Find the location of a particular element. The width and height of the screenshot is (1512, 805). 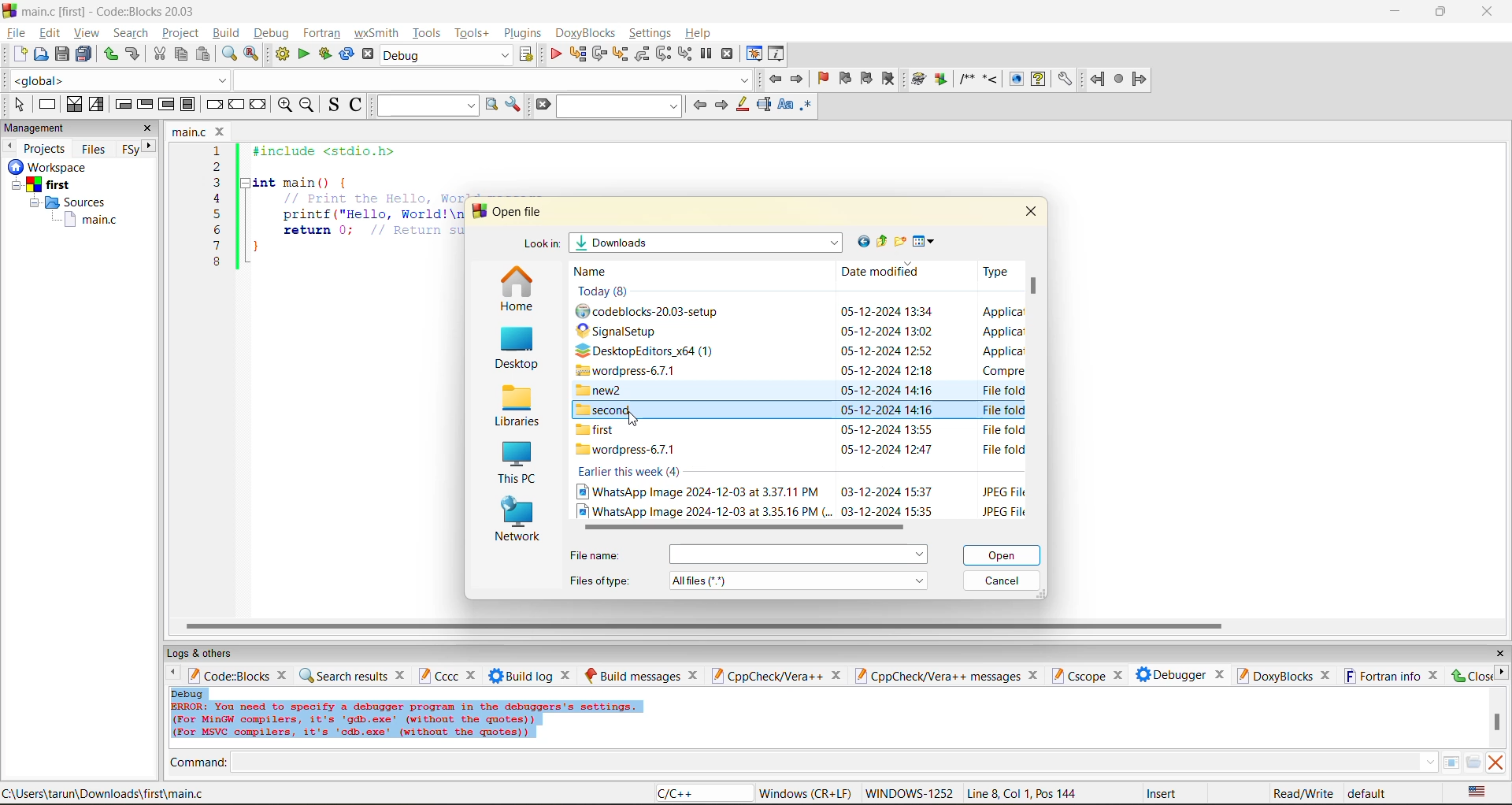

next is located at coordinates (150, 146).